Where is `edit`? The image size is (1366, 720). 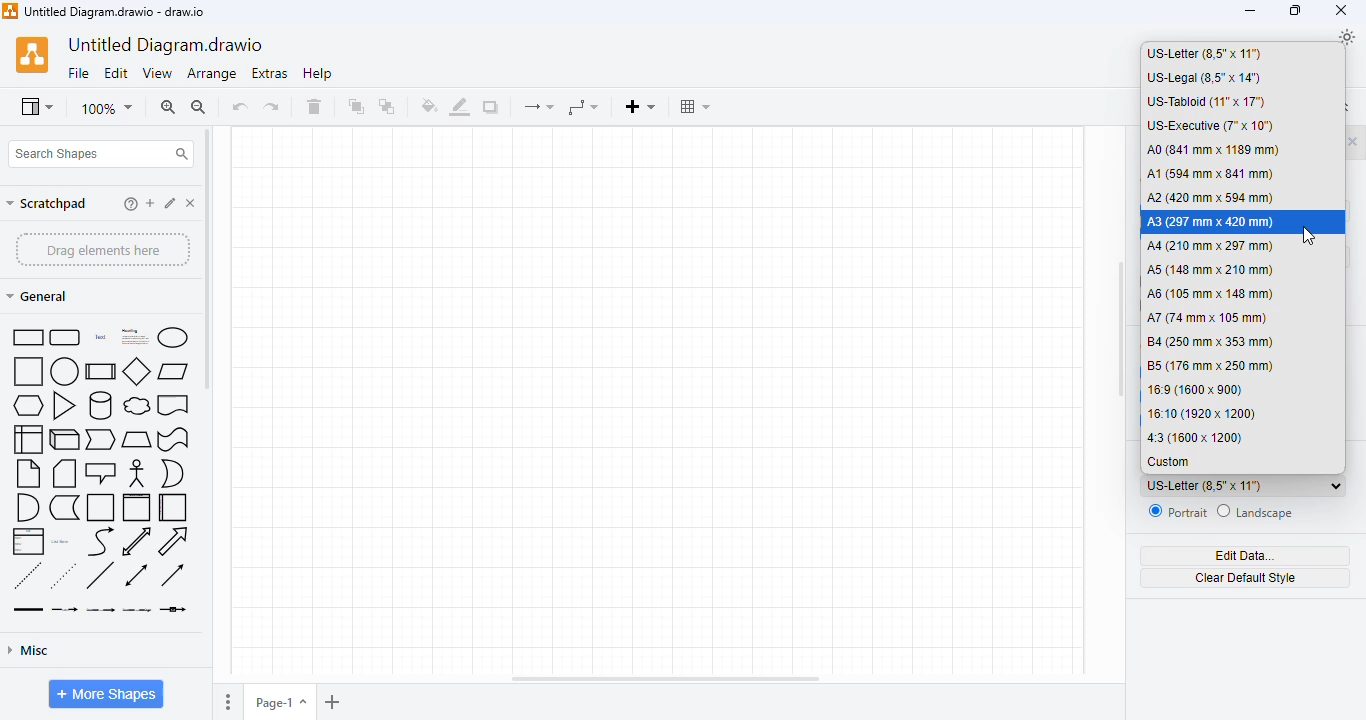
edit is located at coordinates (116, 73).